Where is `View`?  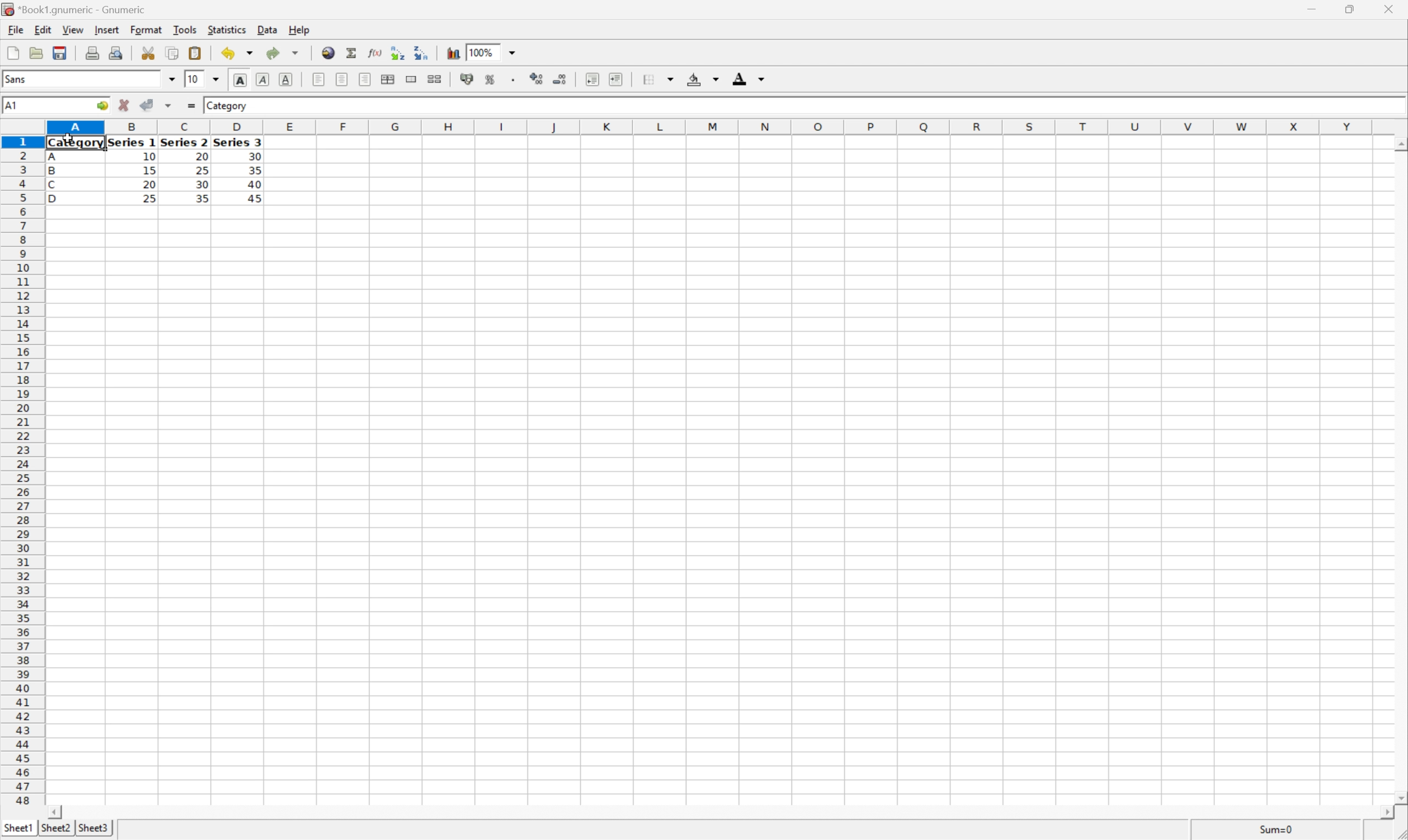
View is located at coordinates (73, 29).